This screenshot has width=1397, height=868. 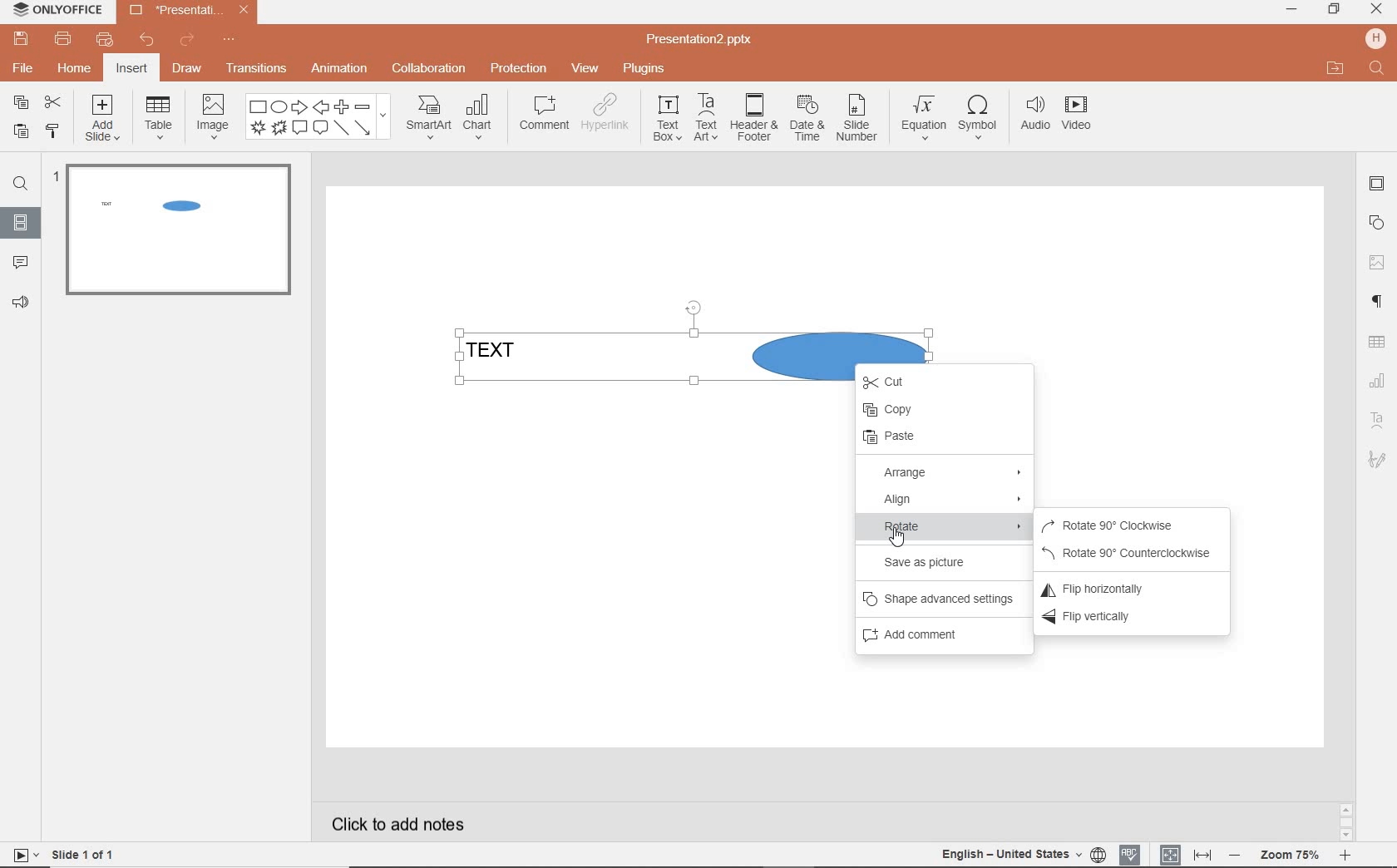 What do you see at coordinates (190, 68) in the screenshot?
I see `draw` at bounding box center [190, 68].